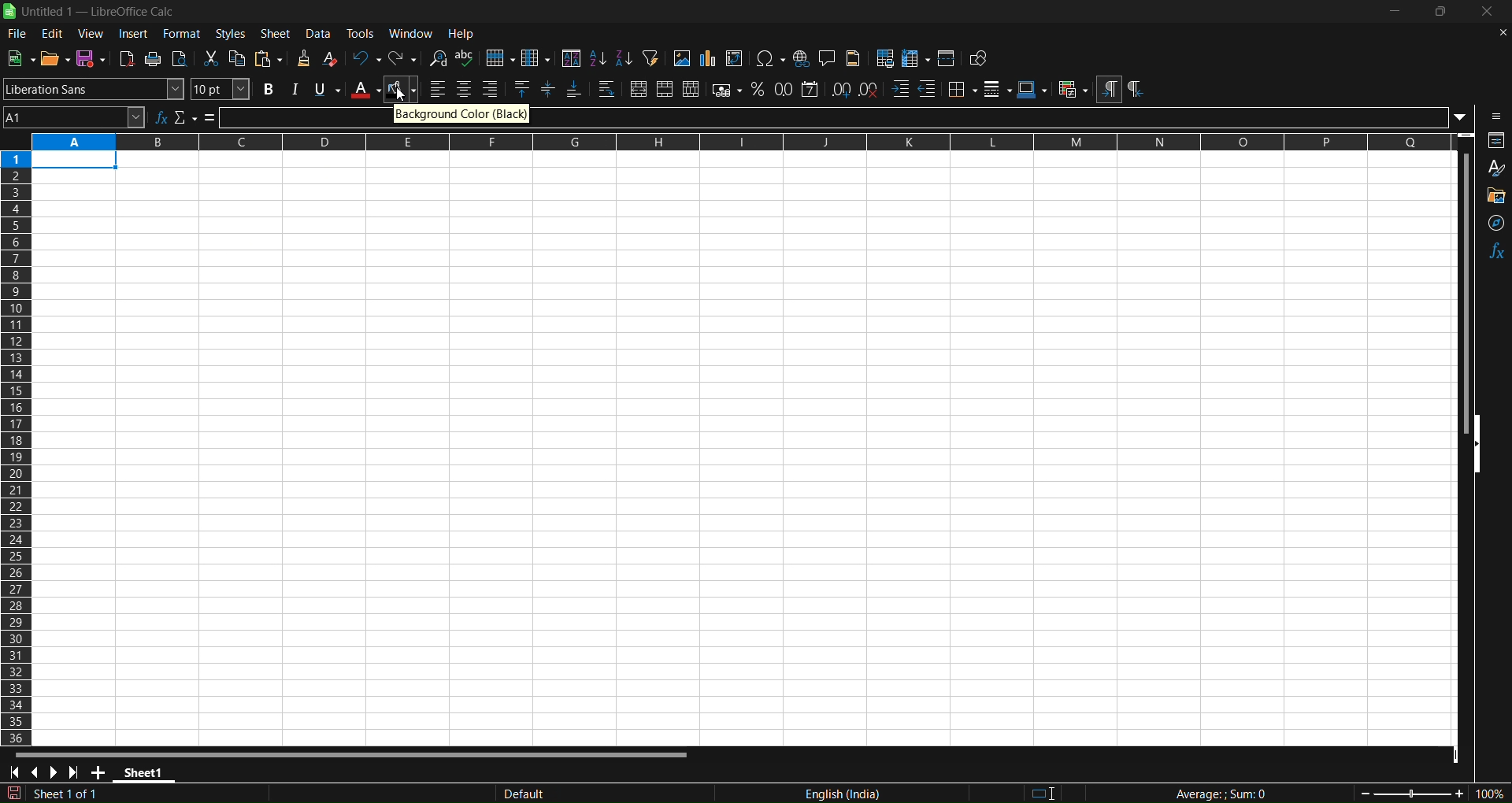 The width and height of the screenshot is (1512, 803). I want to click on input line, so click(1005, 118).